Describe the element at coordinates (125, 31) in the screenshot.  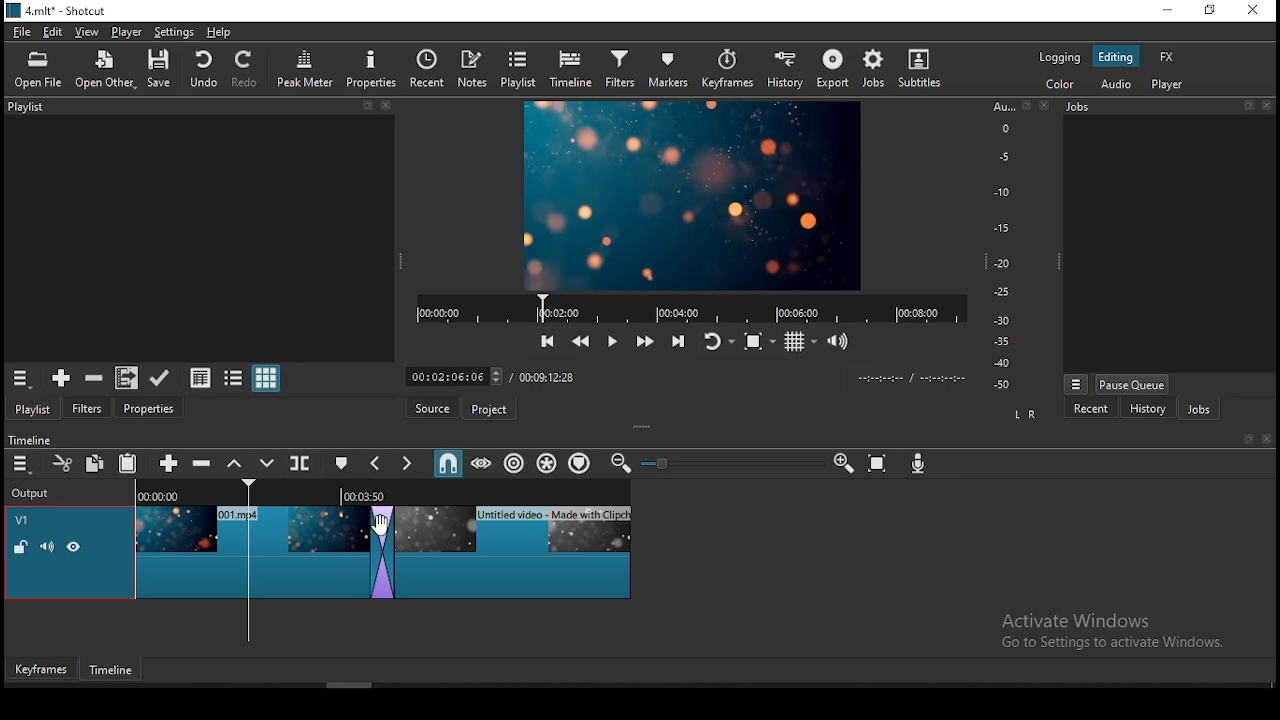
I see `player` at that location.